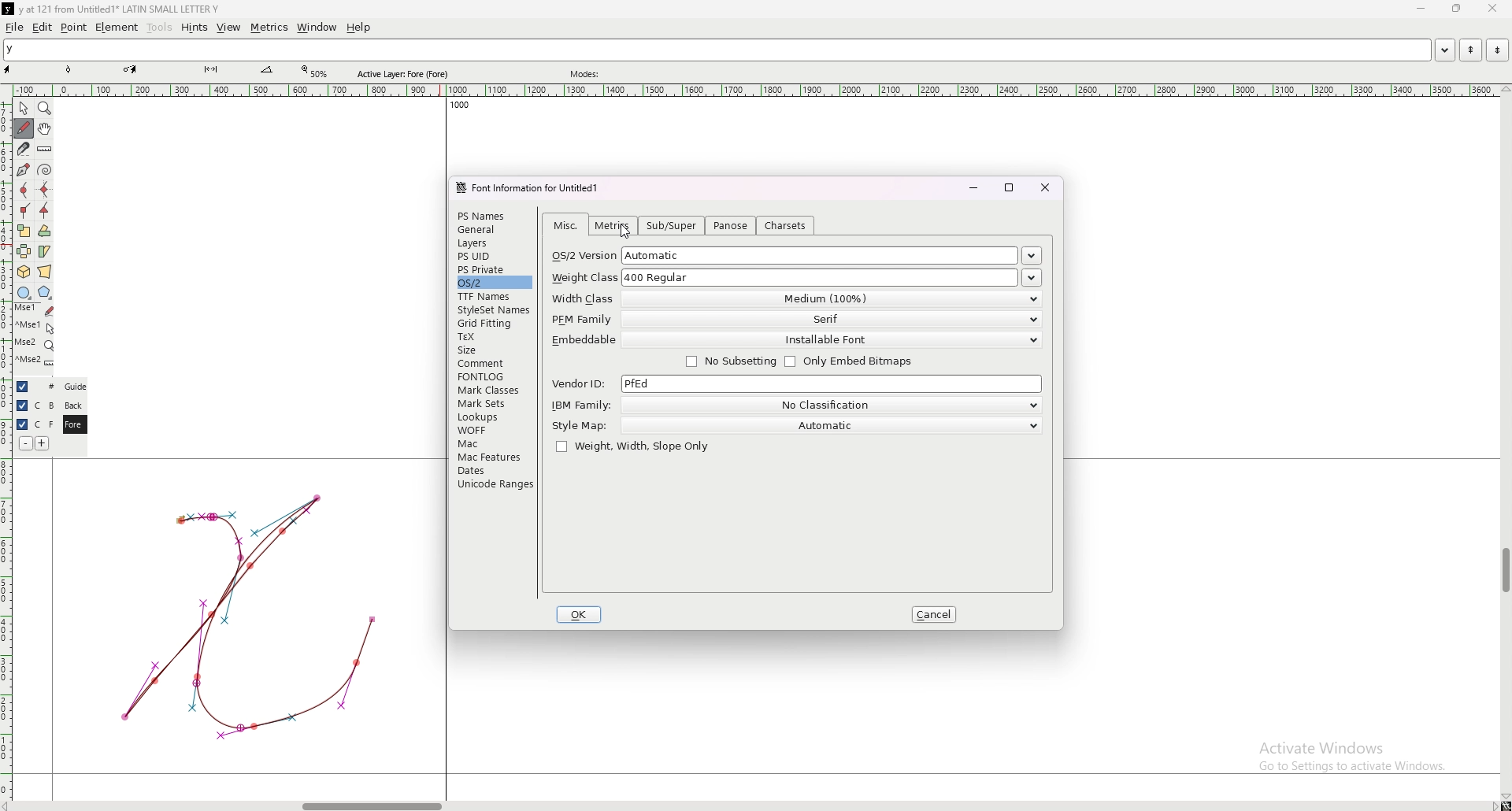  I want to click on hints, so click(193, 28).